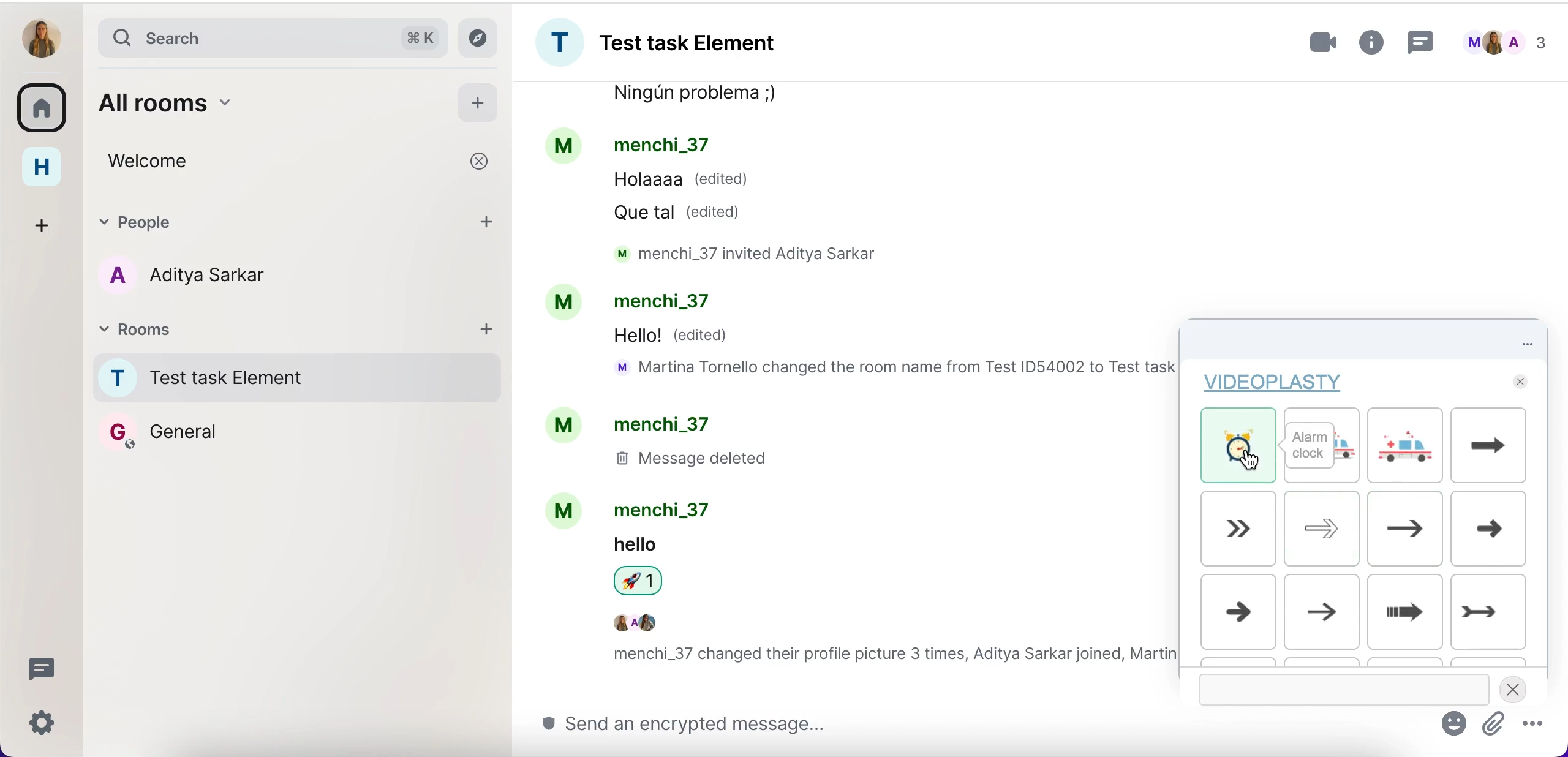 The image size is (1568, 757). Describe the element at coordinates (268, 36) in the screenshot. I see `search bar` at that location.